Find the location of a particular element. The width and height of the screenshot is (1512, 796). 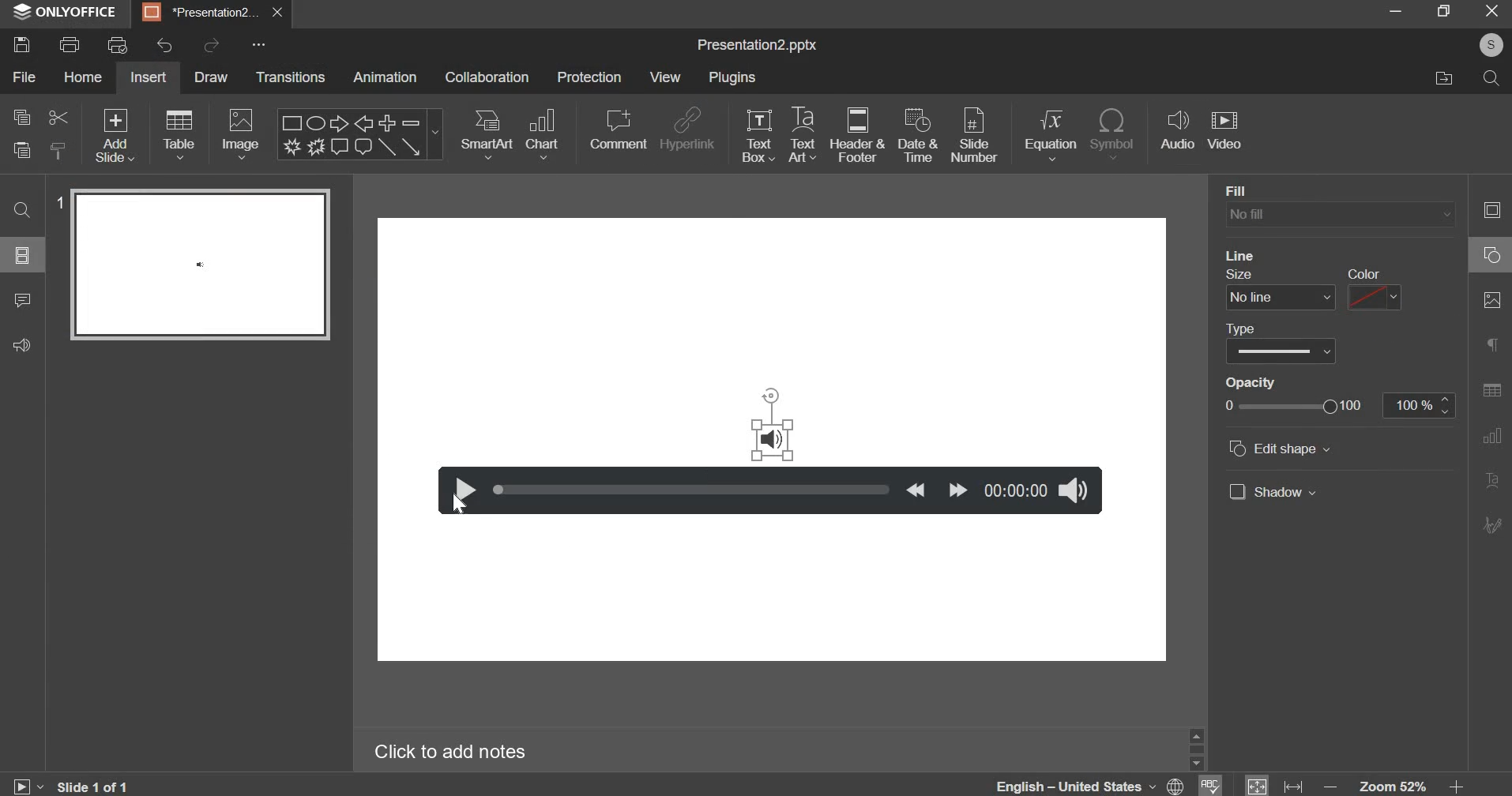

home is located at coordinates (85, 77).